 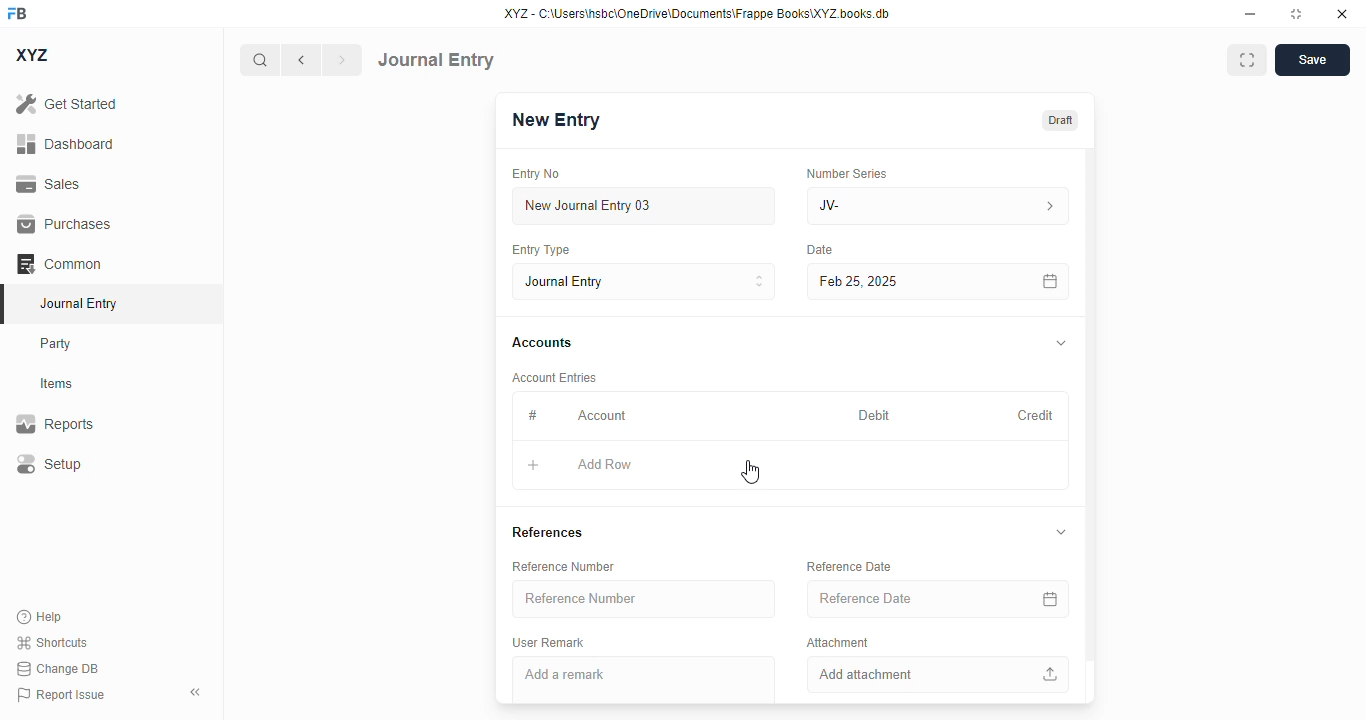 I want to click on common, so click(x=59, y=264).